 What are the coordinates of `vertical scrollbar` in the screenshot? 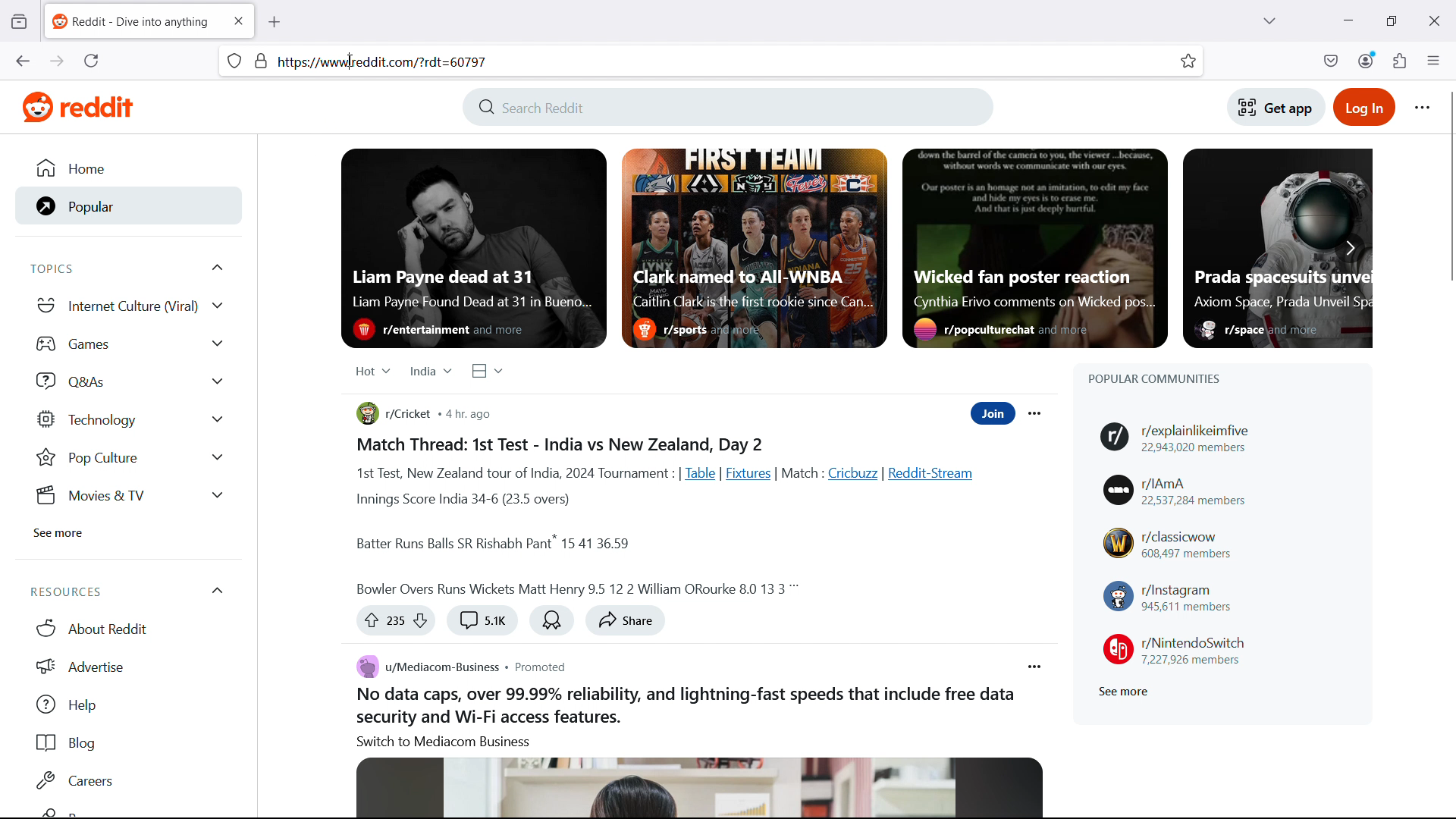 It's located at (1453, 187).